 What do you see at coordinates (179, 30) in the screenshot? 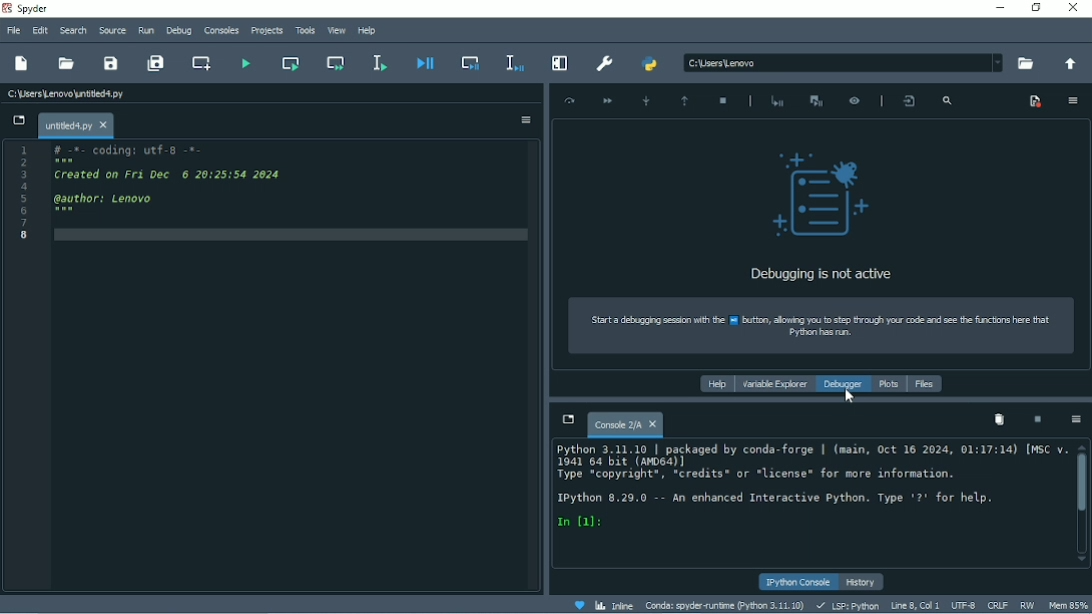
I see `Debug` at bounding box center [179, 30].